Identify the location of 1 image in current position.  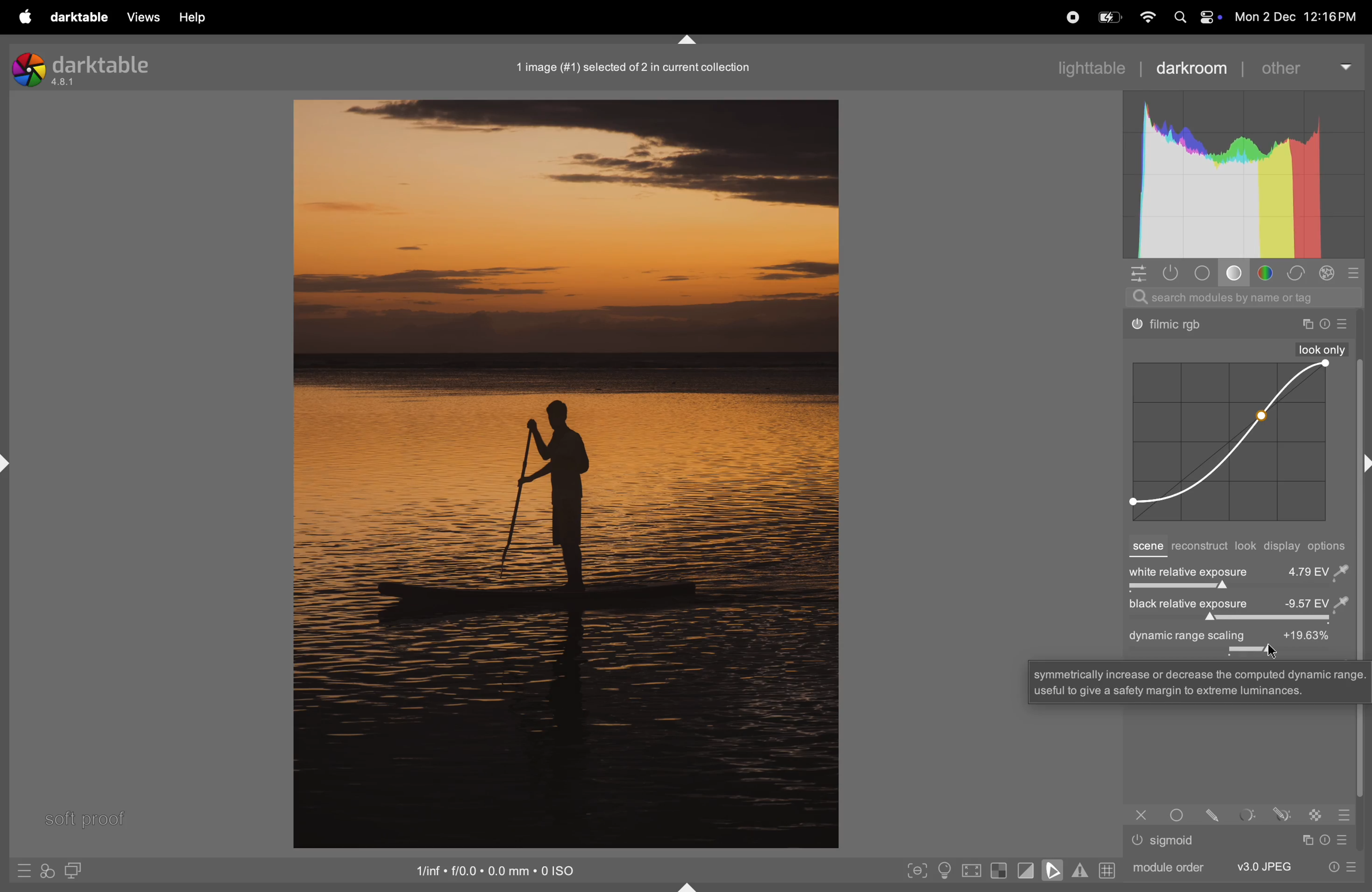
(630, 66).